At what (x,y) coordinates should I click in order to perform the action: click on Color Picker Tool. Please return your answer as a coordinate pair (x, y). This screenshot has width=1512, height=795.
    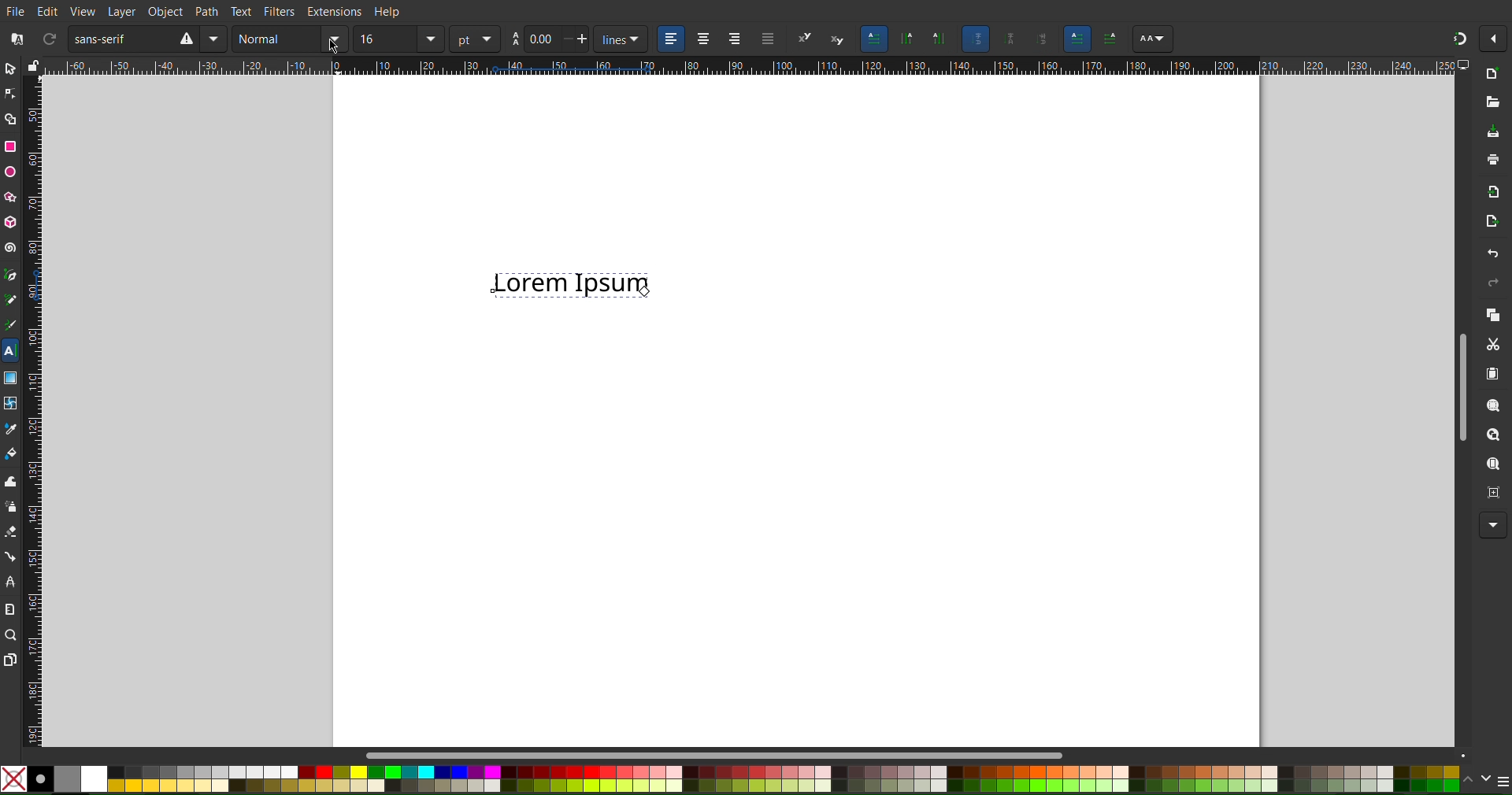
    Looking at the image, I should click on (9, 429).